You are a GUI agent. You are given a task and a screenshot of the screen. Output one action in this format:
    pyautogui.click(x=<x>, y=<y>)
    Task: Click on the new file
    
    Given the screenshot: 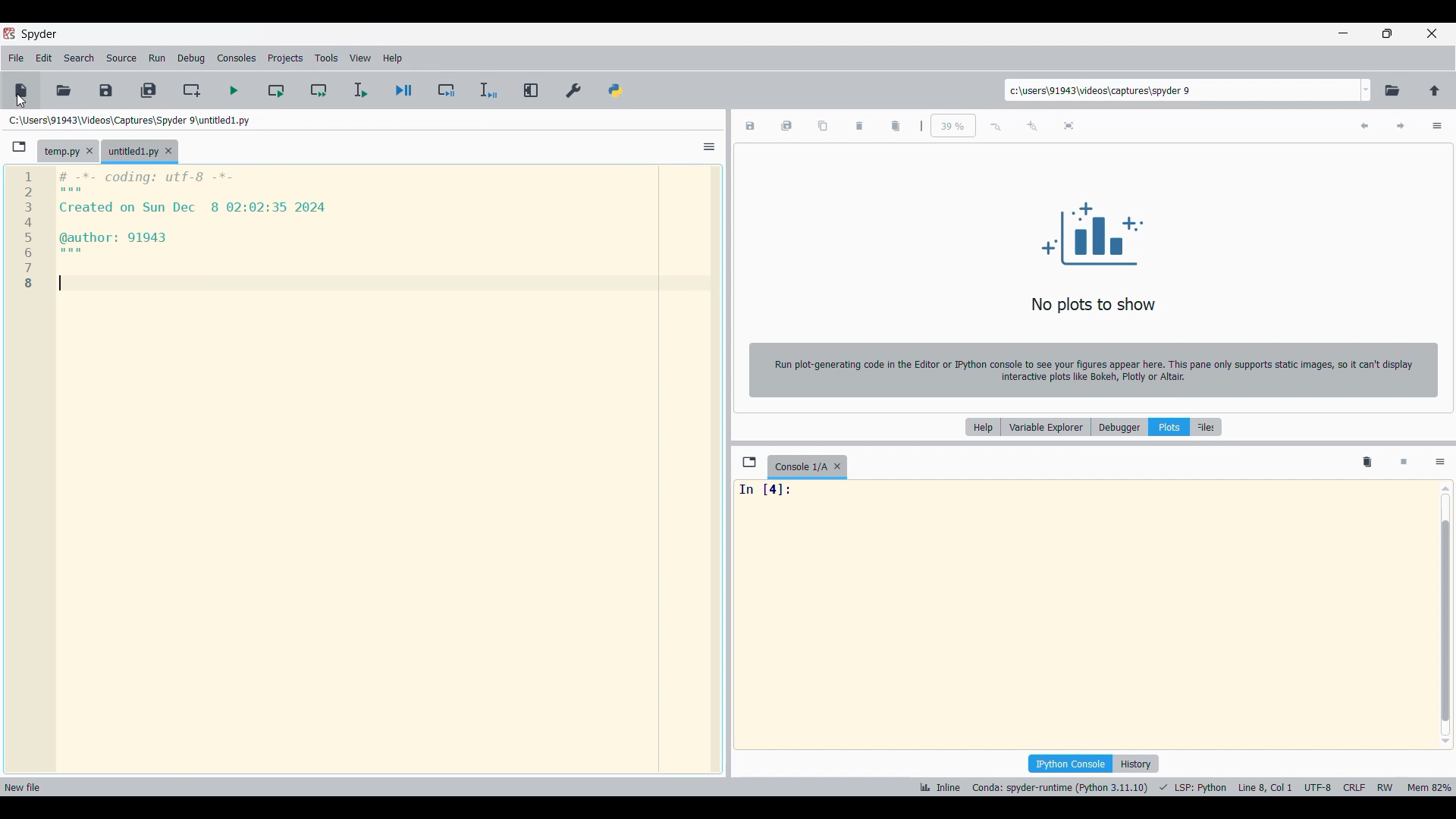 What is the action you would take?
    pyautogui.click(x=28, y=787)
    